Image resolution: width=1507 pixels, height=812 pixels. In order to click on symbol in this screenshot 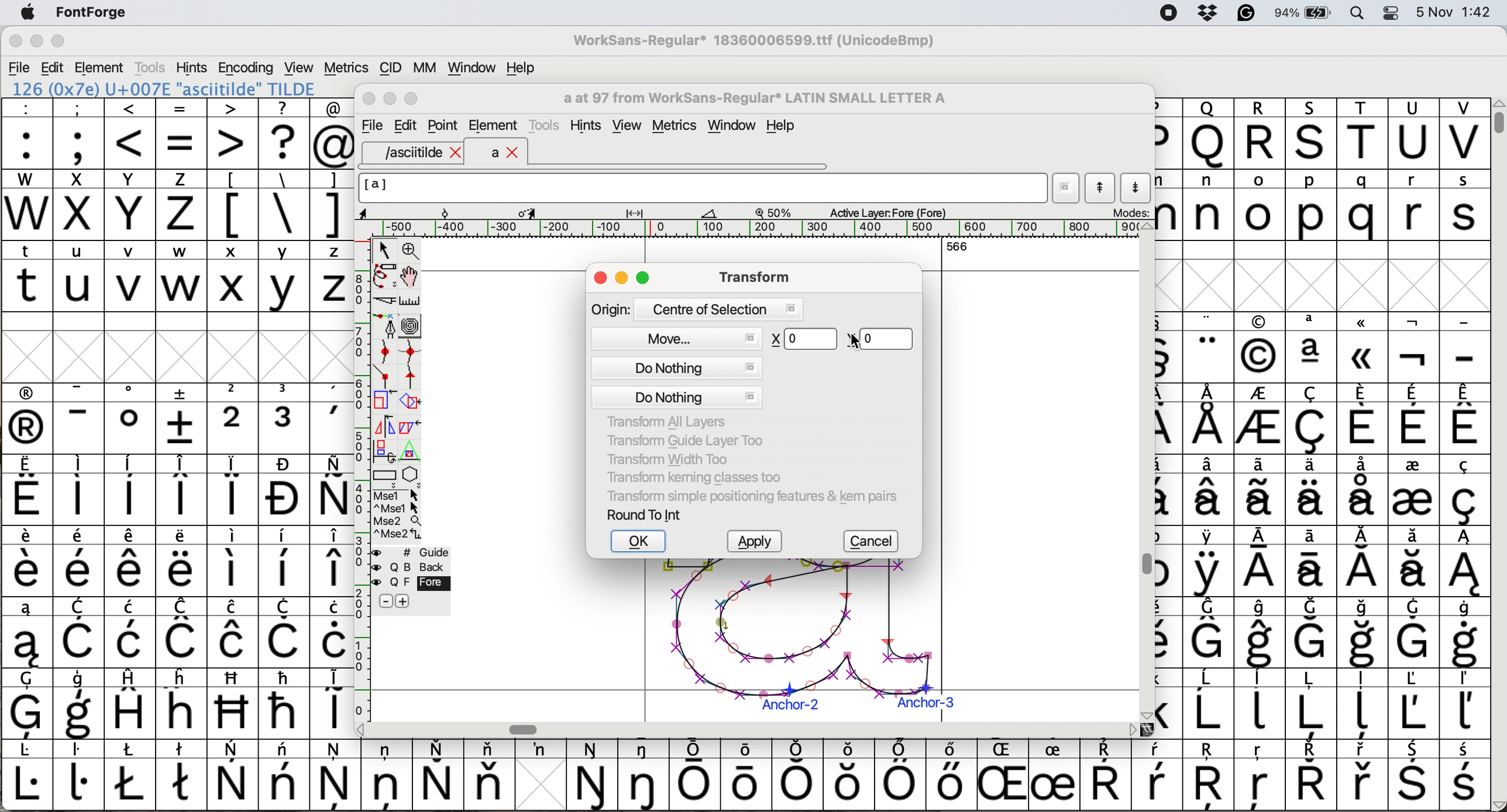, I will do `click(900, 775)`.